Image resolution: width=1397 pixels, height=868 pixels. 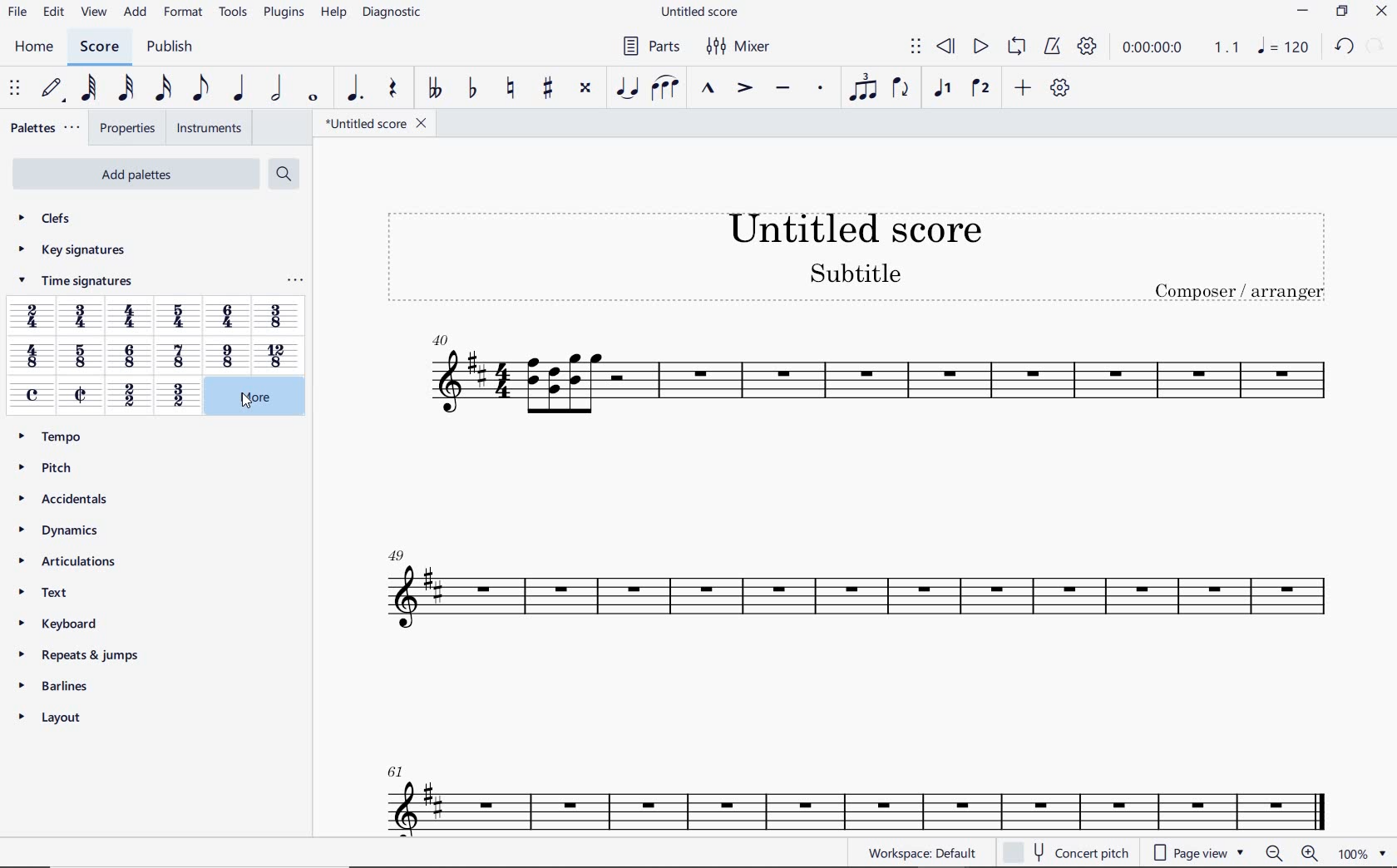 What do you see at coordinates (56, 717) in the screenshot?
I see `LAYOUT` at bounding box center [56, 717].